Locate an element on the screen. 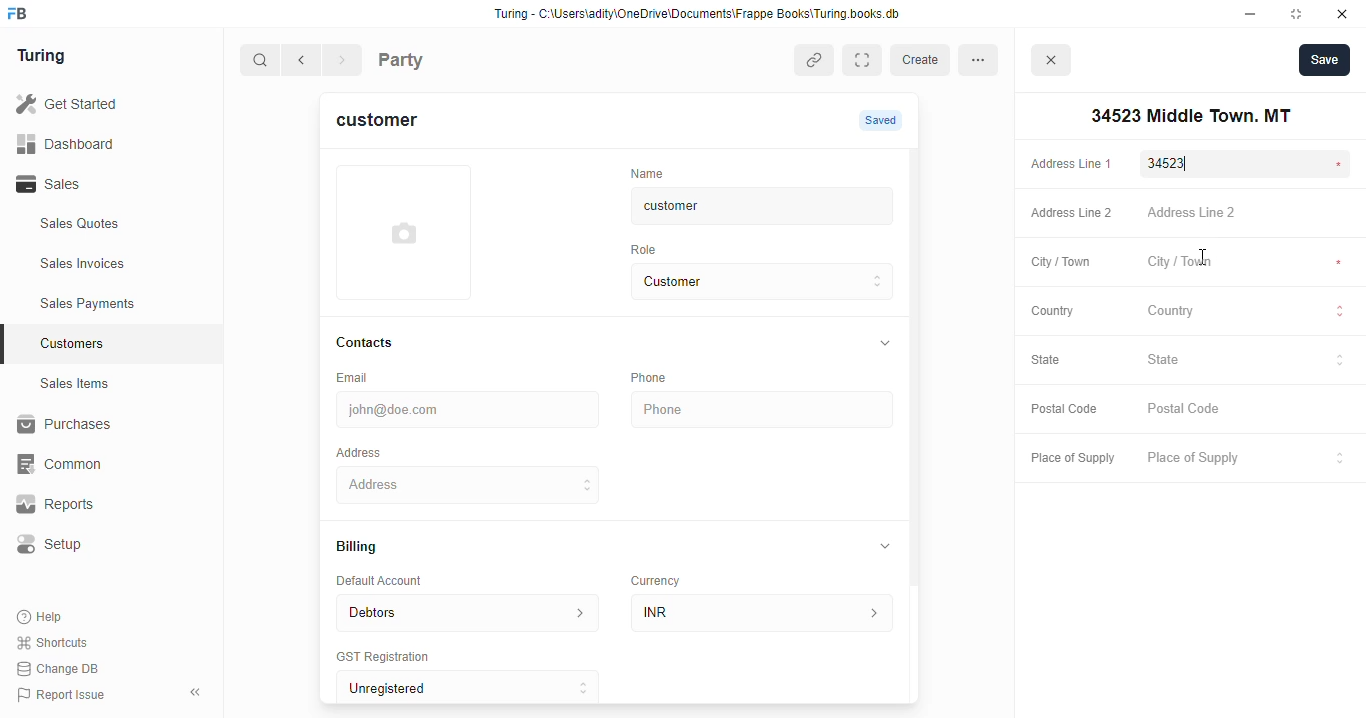 The image size is (1366, 718). Phone is located at coordinates (660, 377).